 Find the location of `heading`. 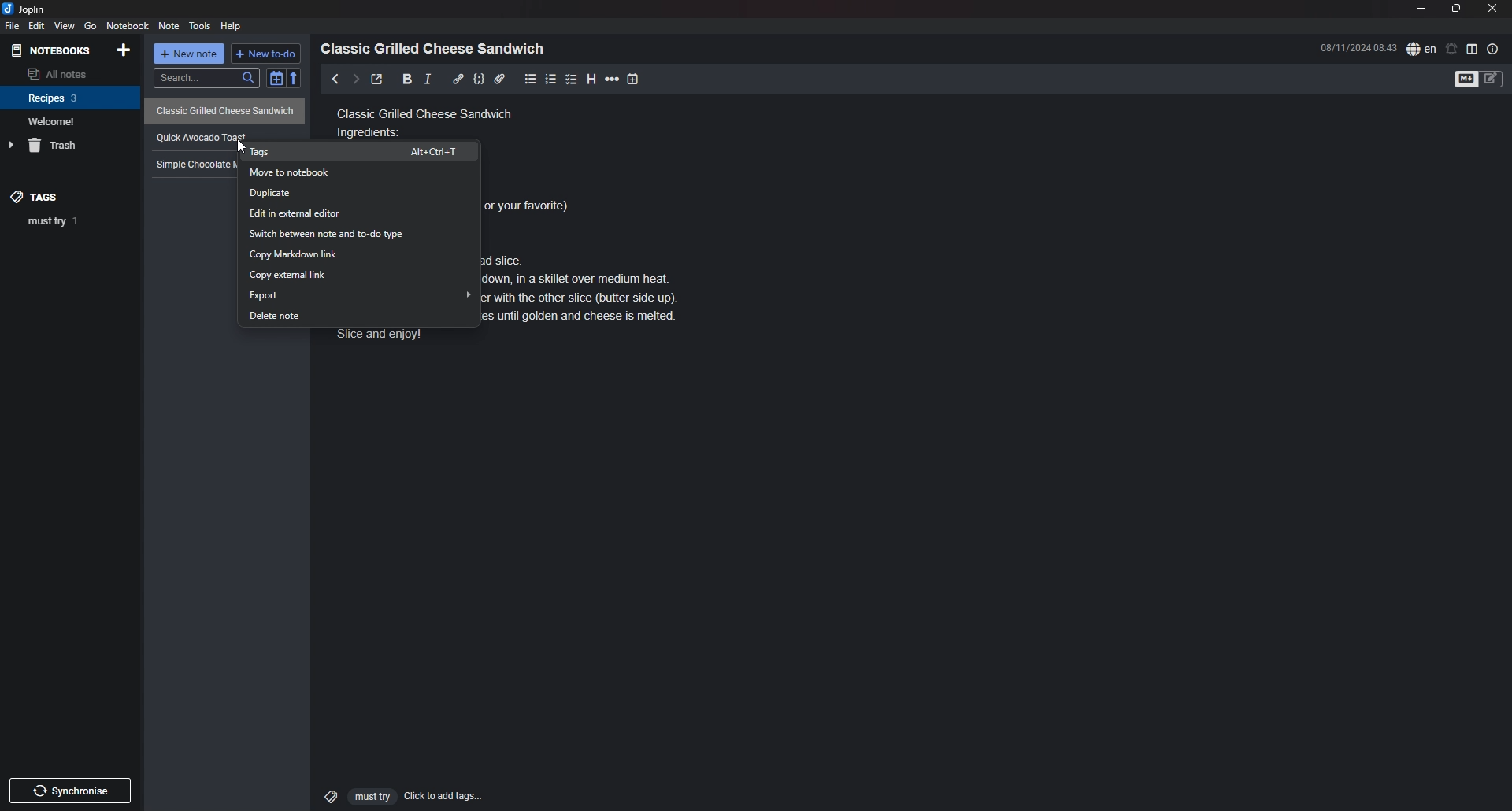

heading is located at coordinates (591, 79).